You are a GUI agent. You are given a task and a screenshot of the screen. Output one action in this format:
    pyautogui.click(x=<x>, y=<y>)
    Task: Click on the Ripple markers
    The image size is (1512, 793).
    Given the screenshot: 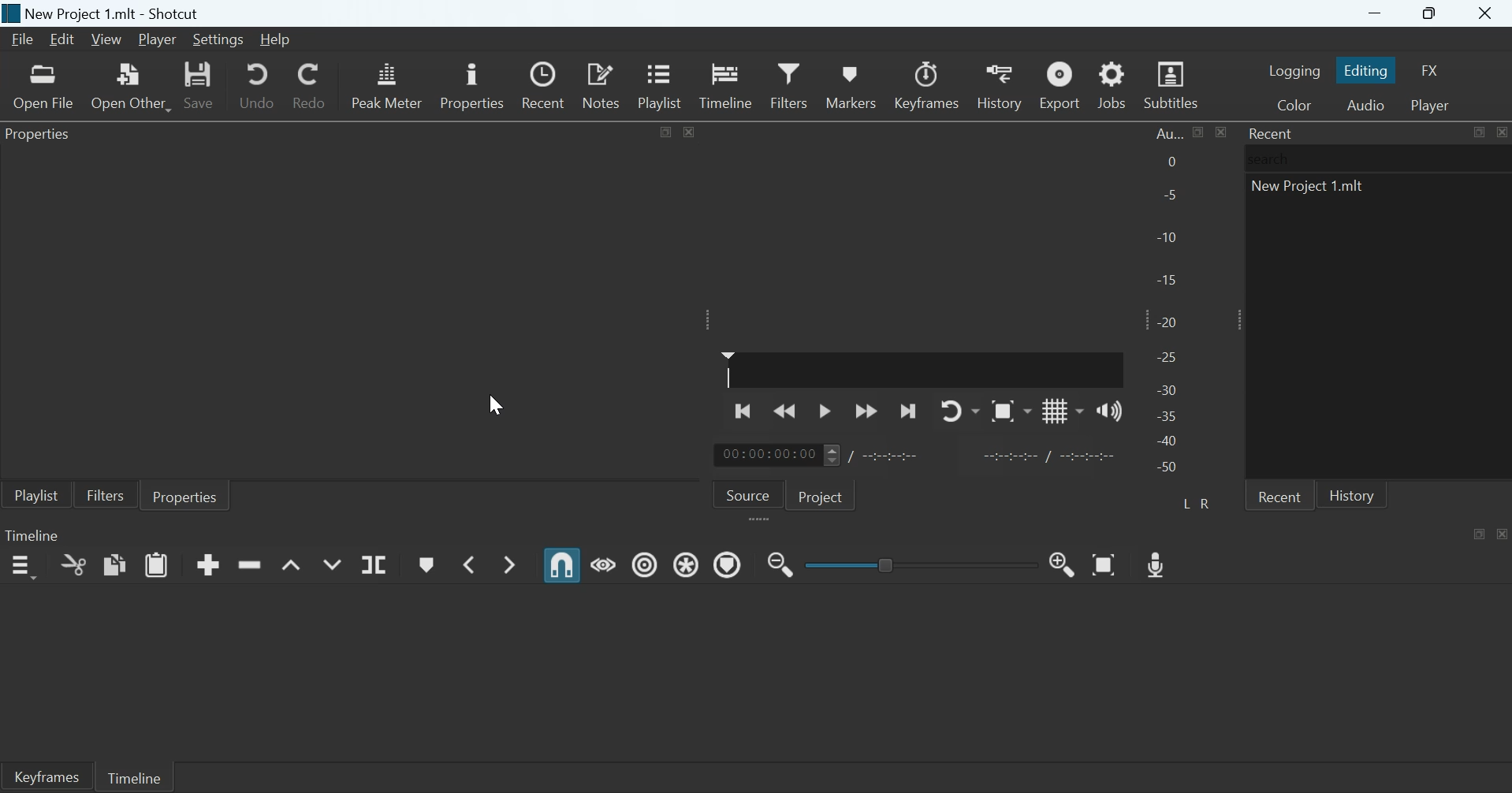 What is the action you would take?
    pyautogui.click(x=728, y=564)
    